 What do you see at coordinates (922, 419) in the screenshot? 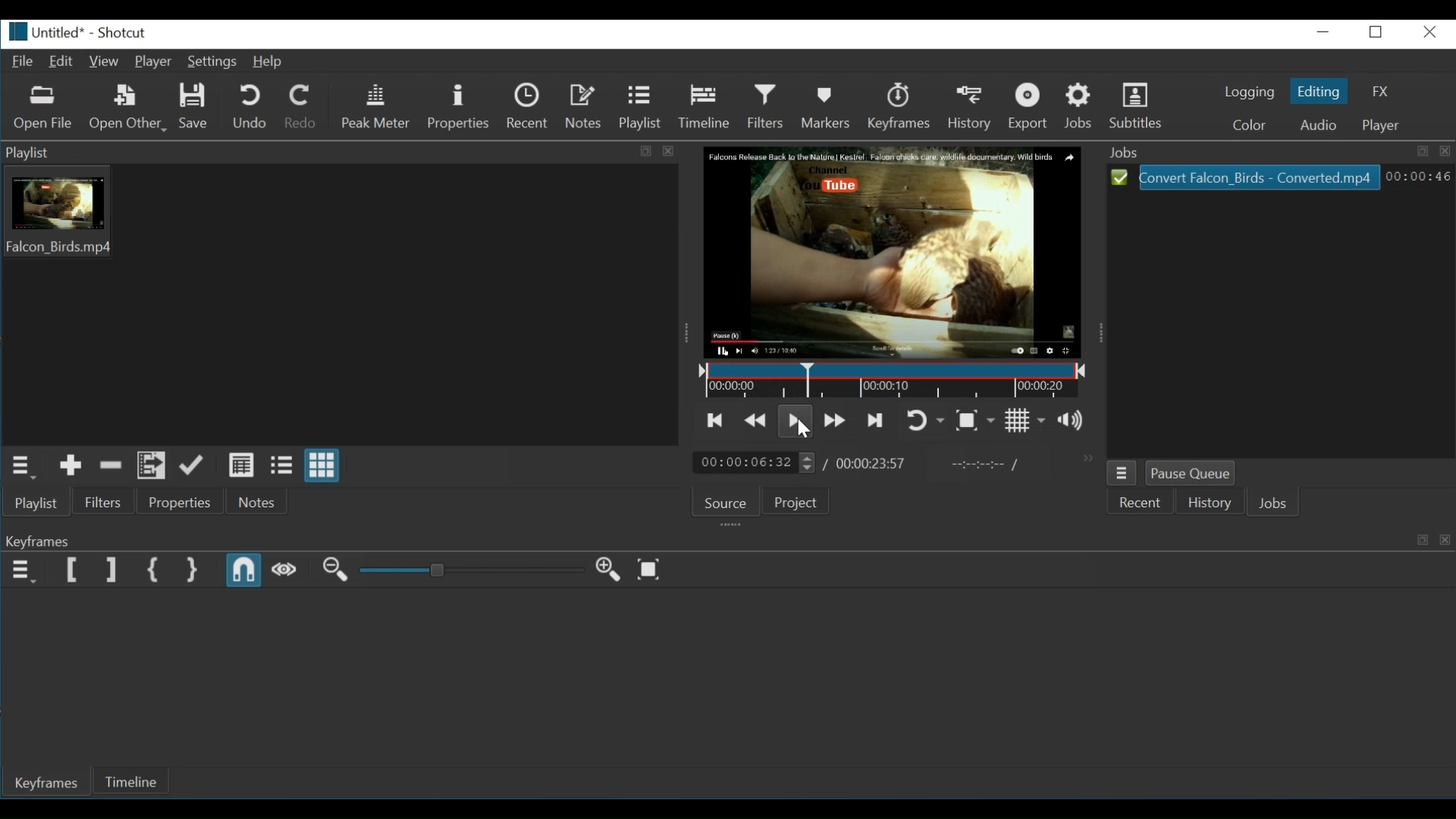
I see `Toggle player looping` at bounding box center [922, 419].